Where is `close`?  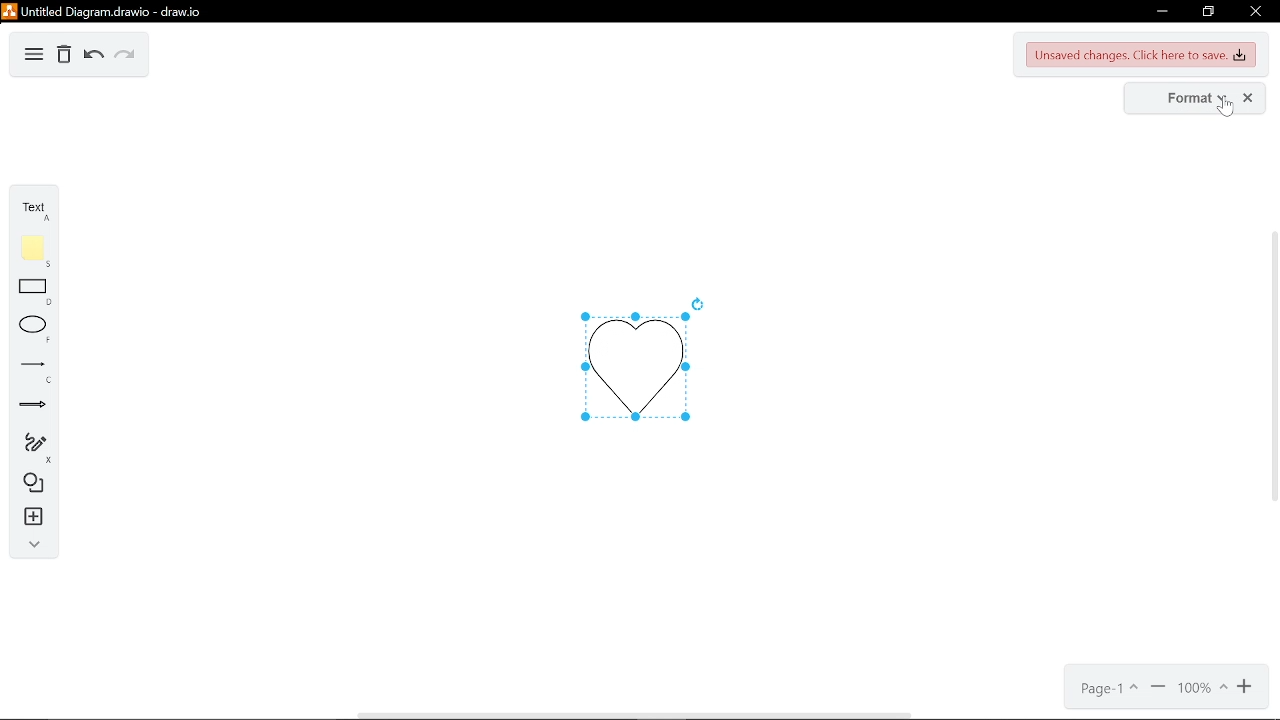 close is located at coordinates (1256, 11).